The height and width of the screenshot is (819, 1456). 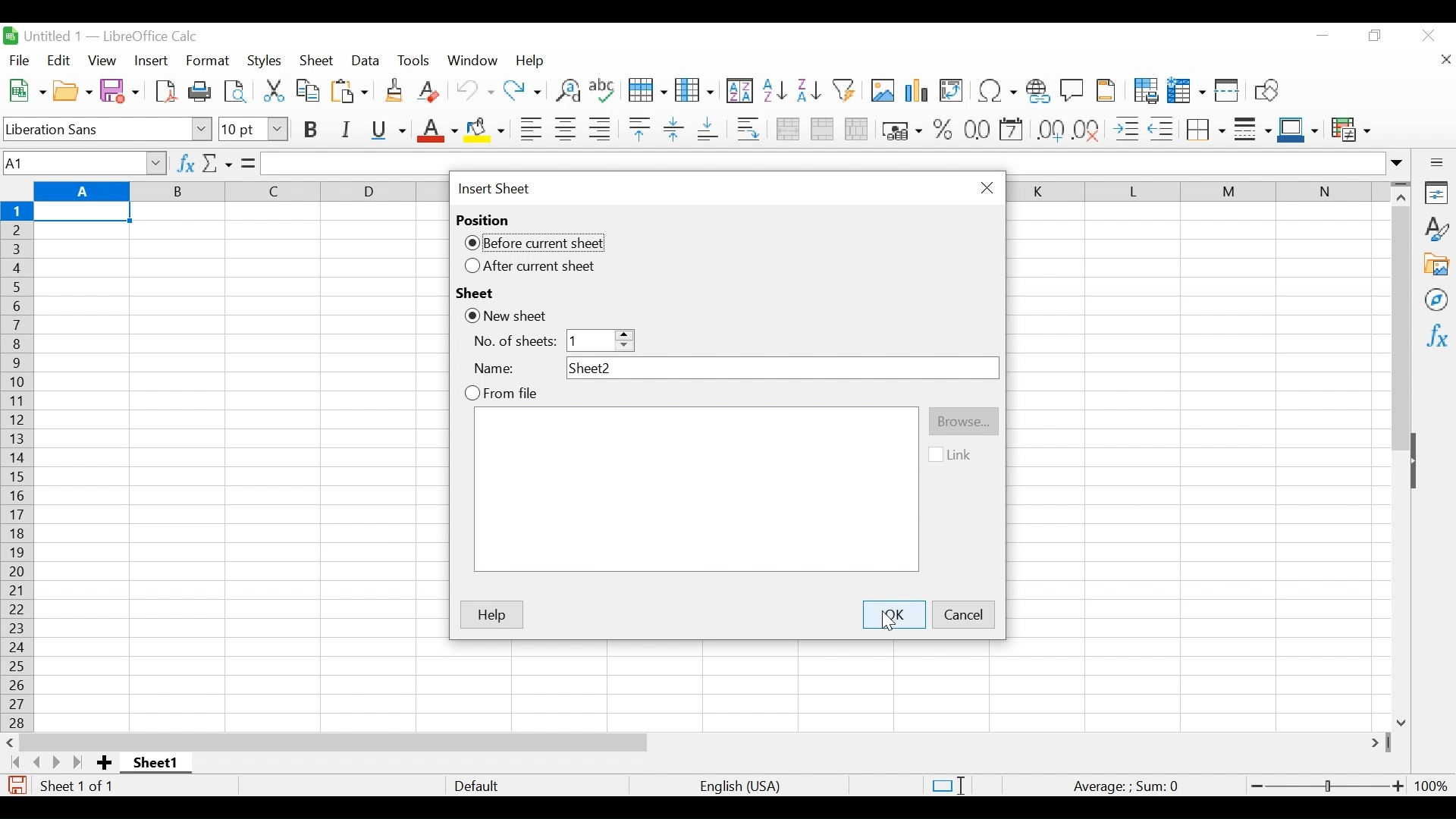 I want to click on Clear Direct Formatting, so click(x=431, y=92).